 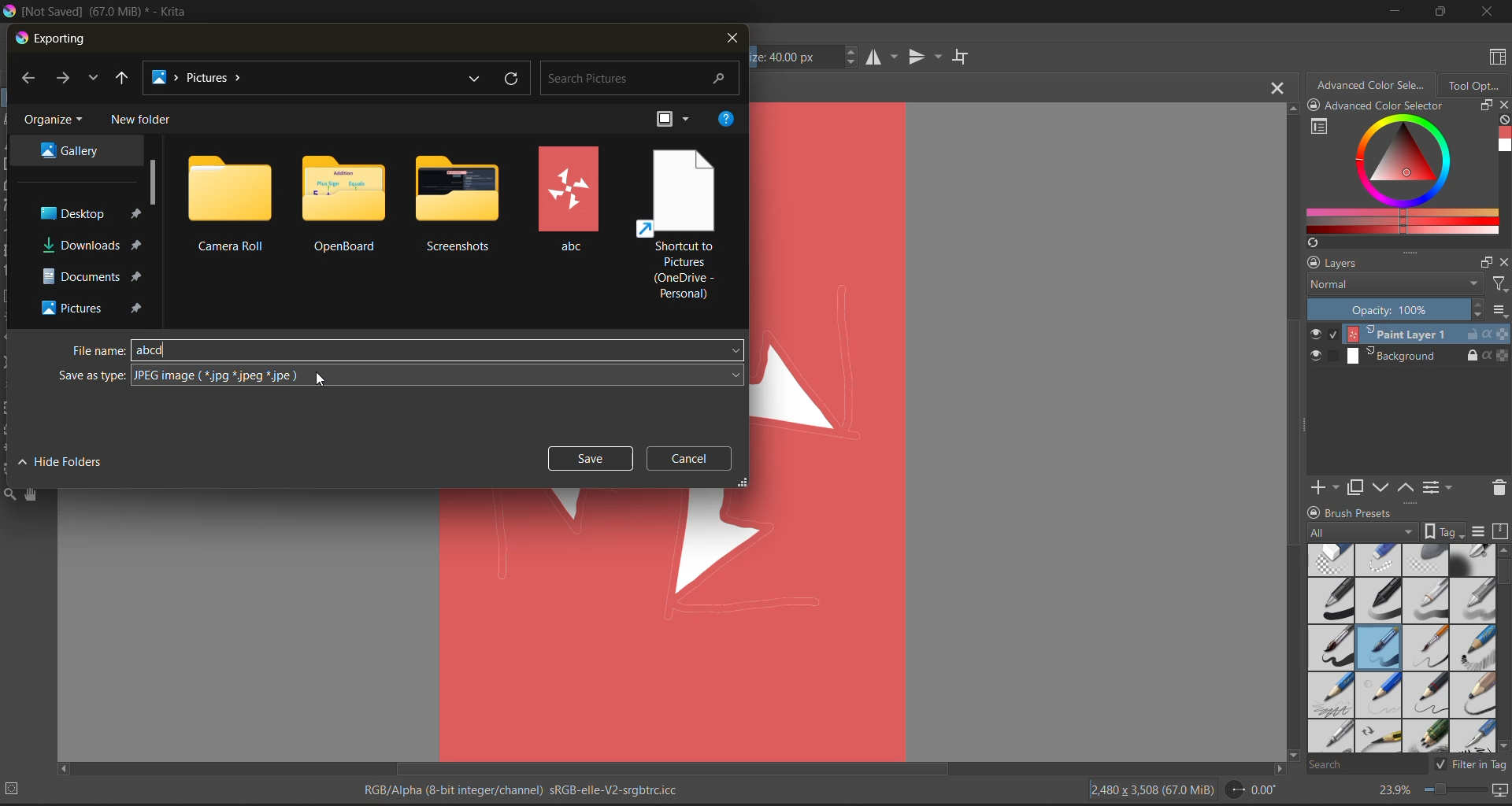 I want to click on advanced color selector, so click(x=1374, y=87).